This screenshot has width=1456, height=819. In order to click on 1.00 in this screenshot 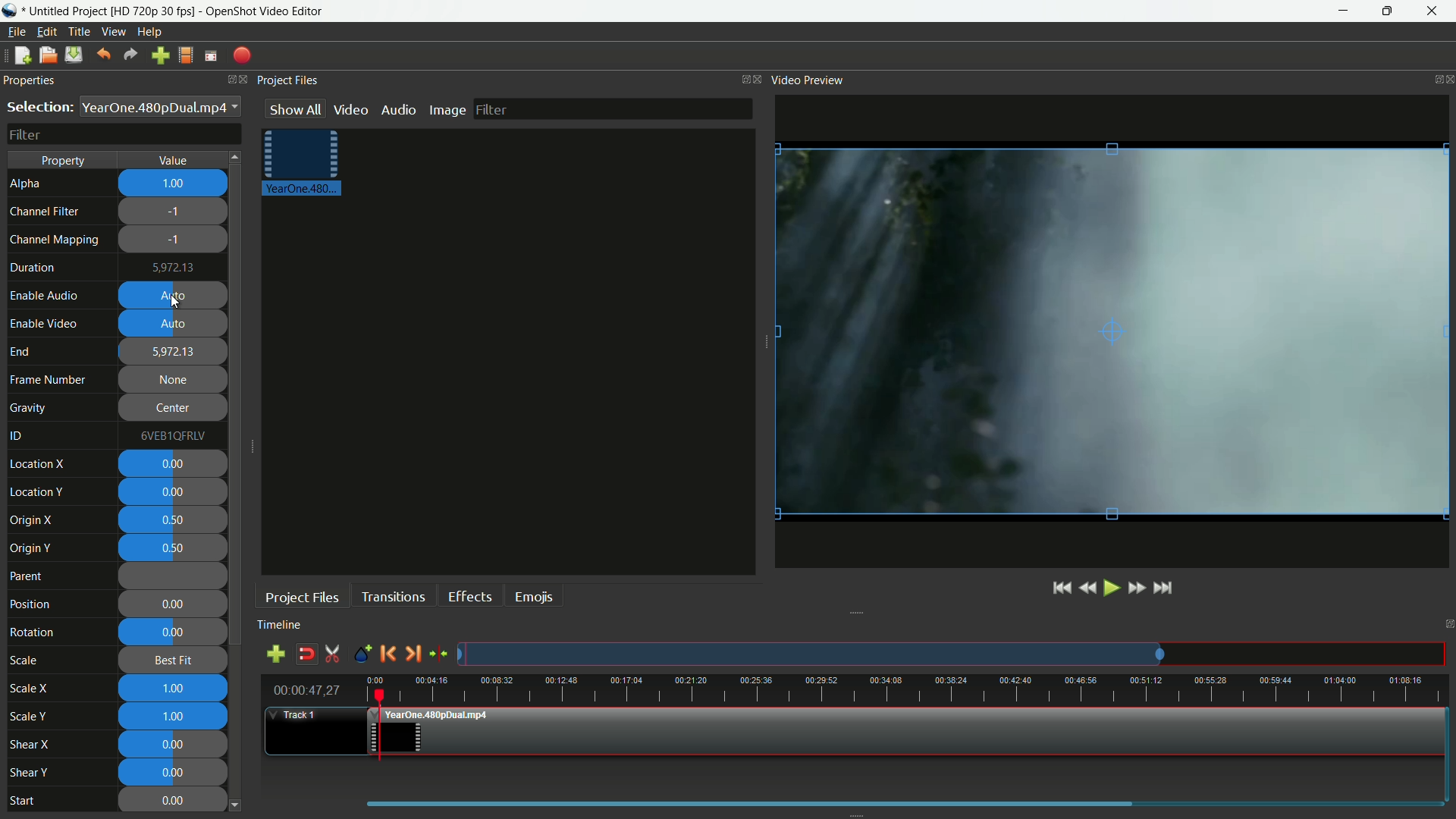, I will do `click(175, 185)`.